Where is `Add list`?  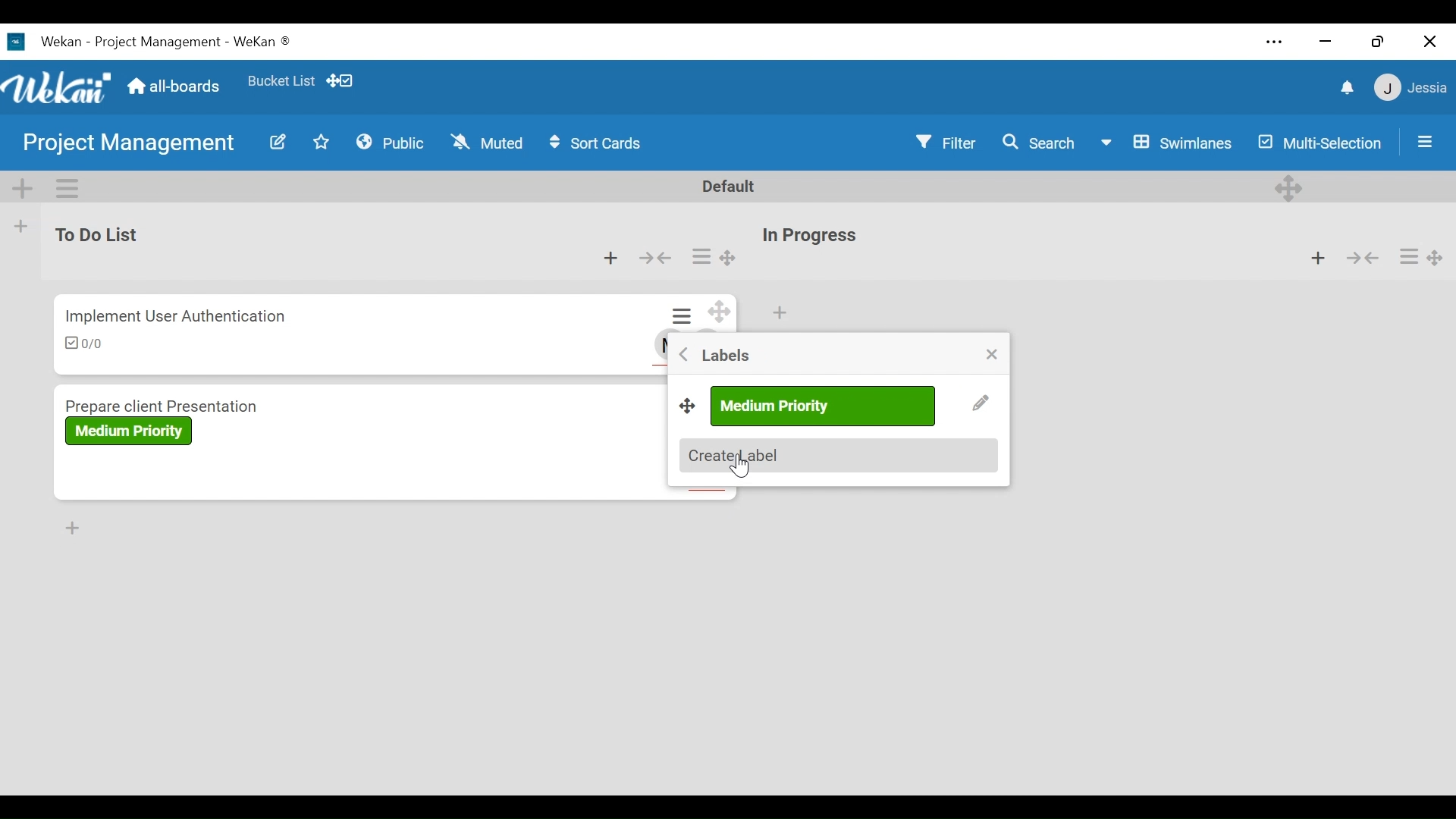 Add list is located at coordinates (21, 226).